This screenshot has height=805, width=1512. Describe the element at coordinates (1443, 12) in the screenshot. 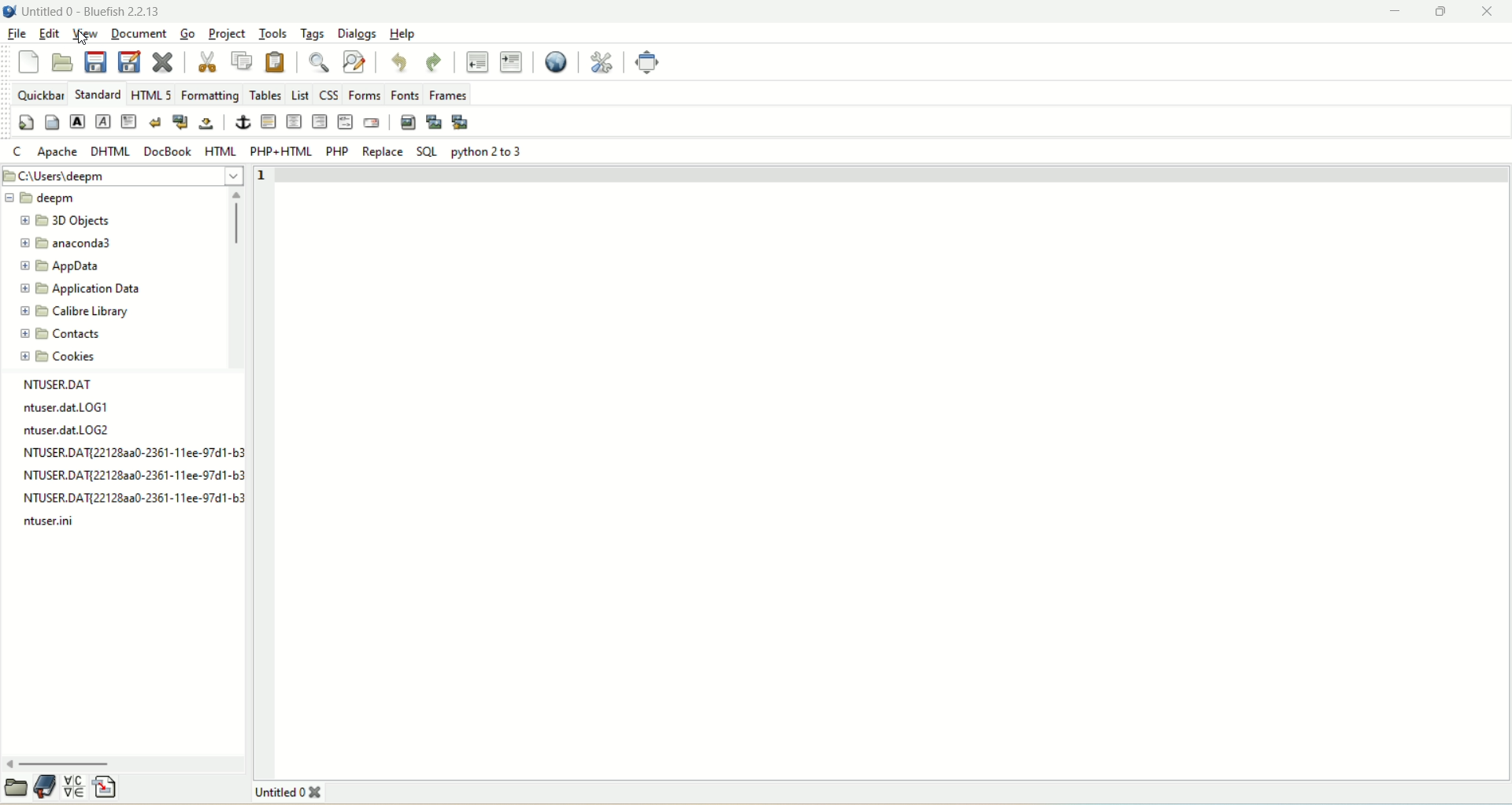

I see `maximize` at that location.